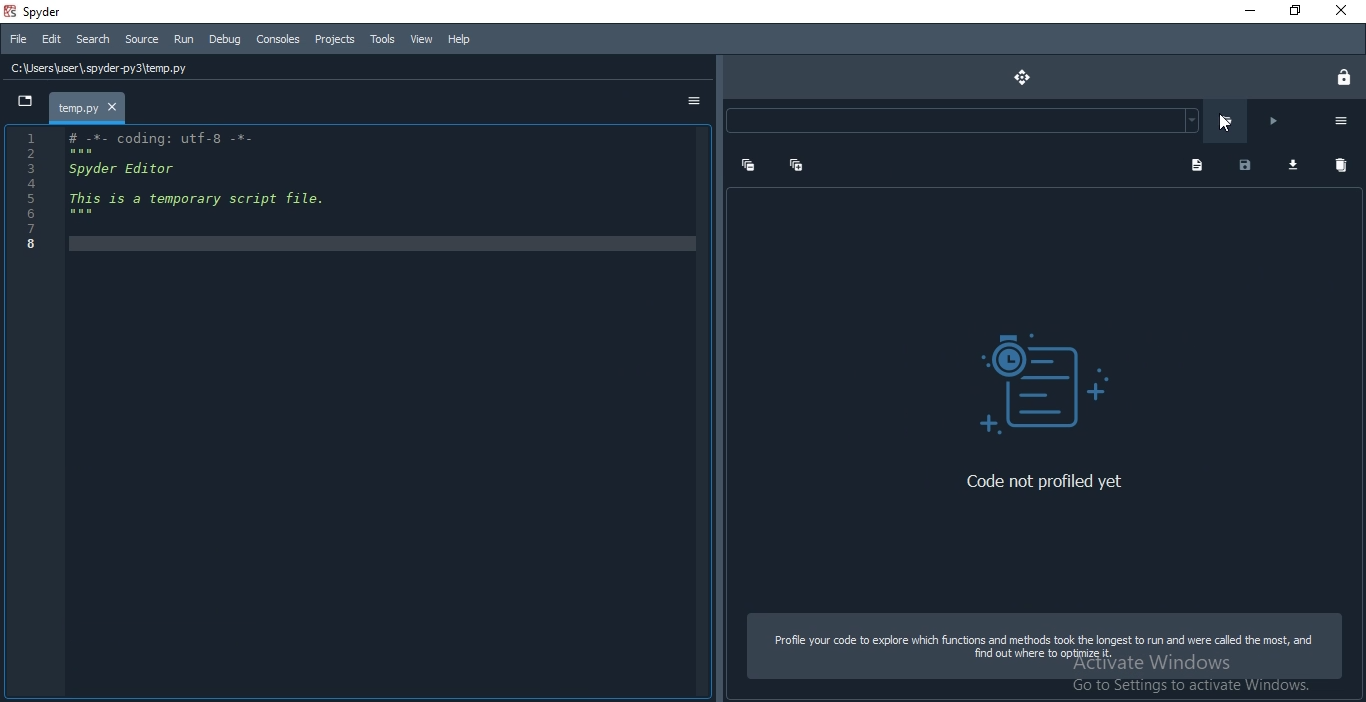  What do you see at coordinates (17, 39) in the screenshot?
I see `File ` at bounding box center [17, 39].